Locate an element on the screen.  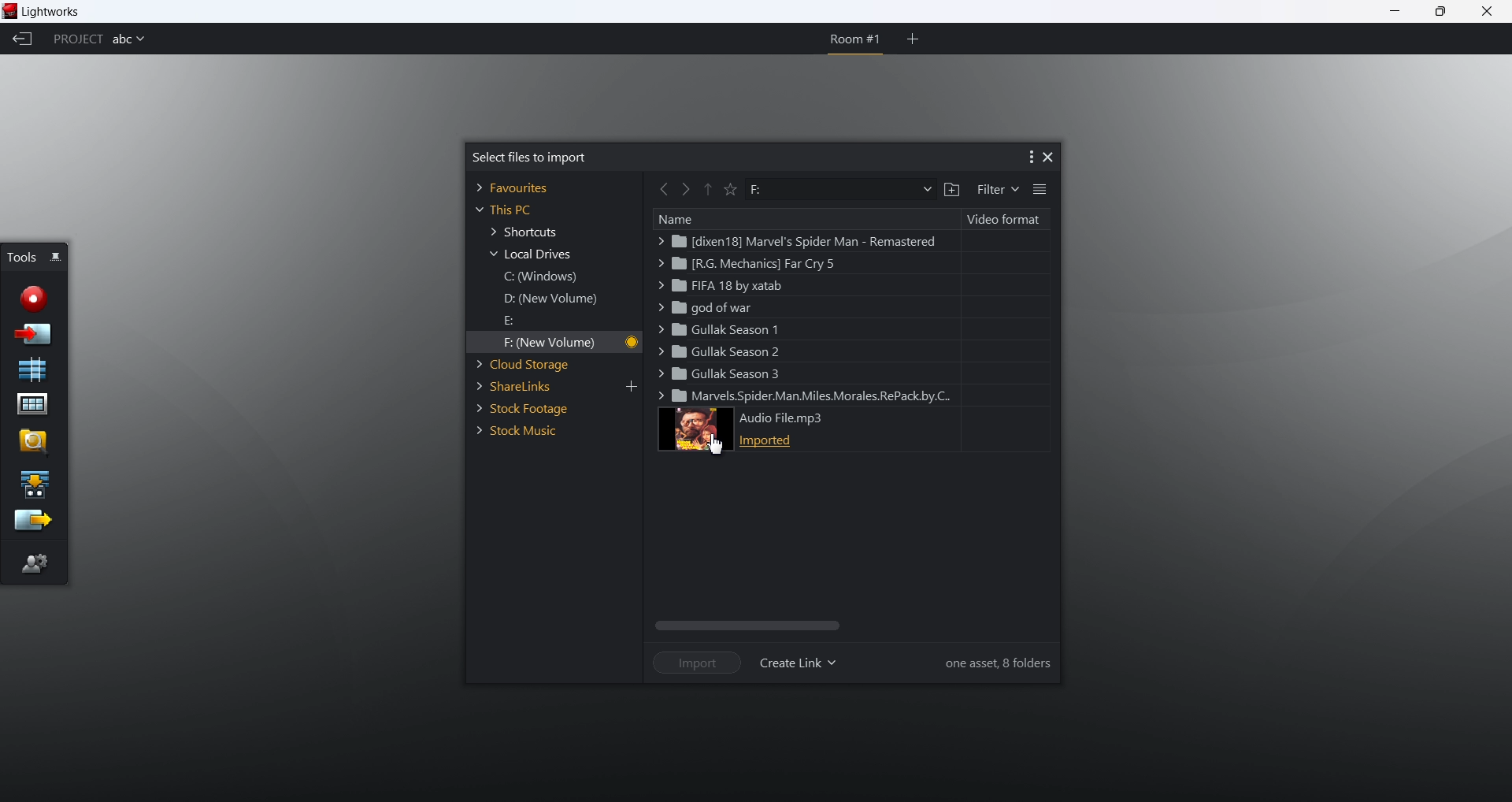
cloud storage is located at coordinates (529, 365).